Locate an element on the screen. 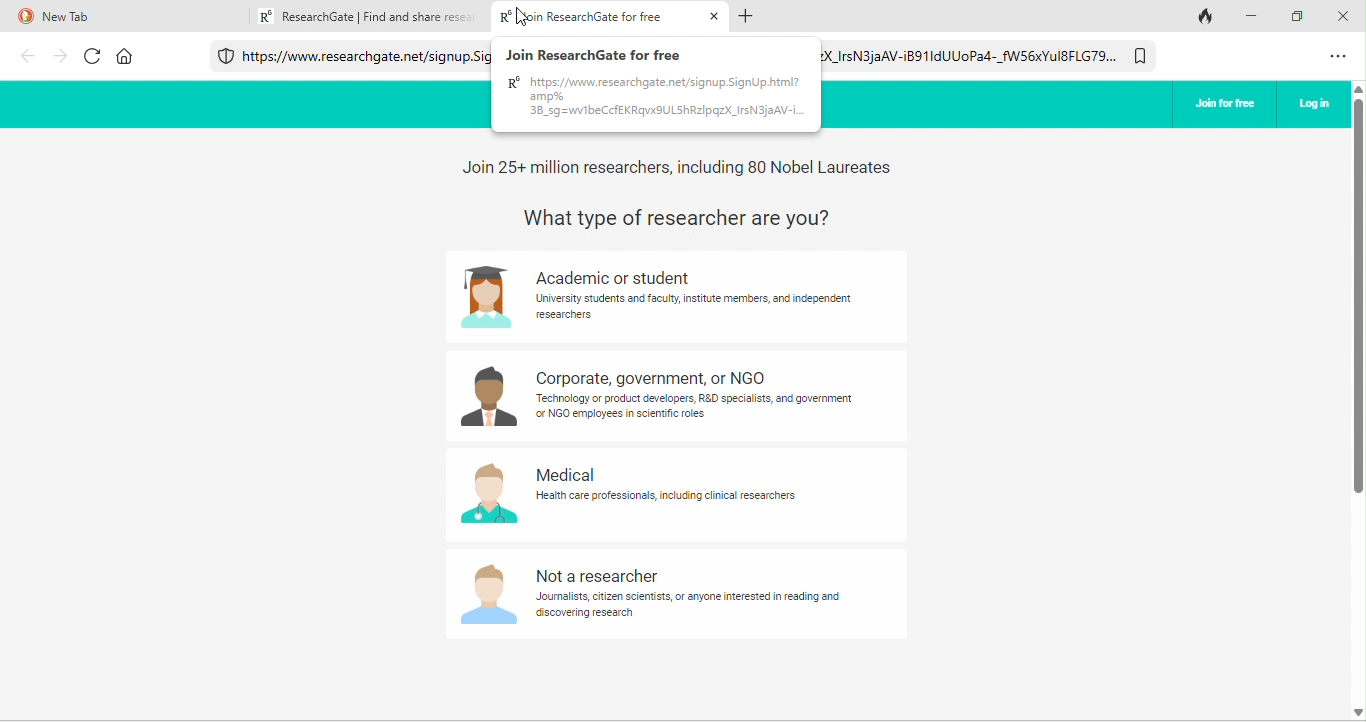 The height and width of the screenshot is (722, 1366). Join ResearchGate for free is located at coordinates (604, 53).